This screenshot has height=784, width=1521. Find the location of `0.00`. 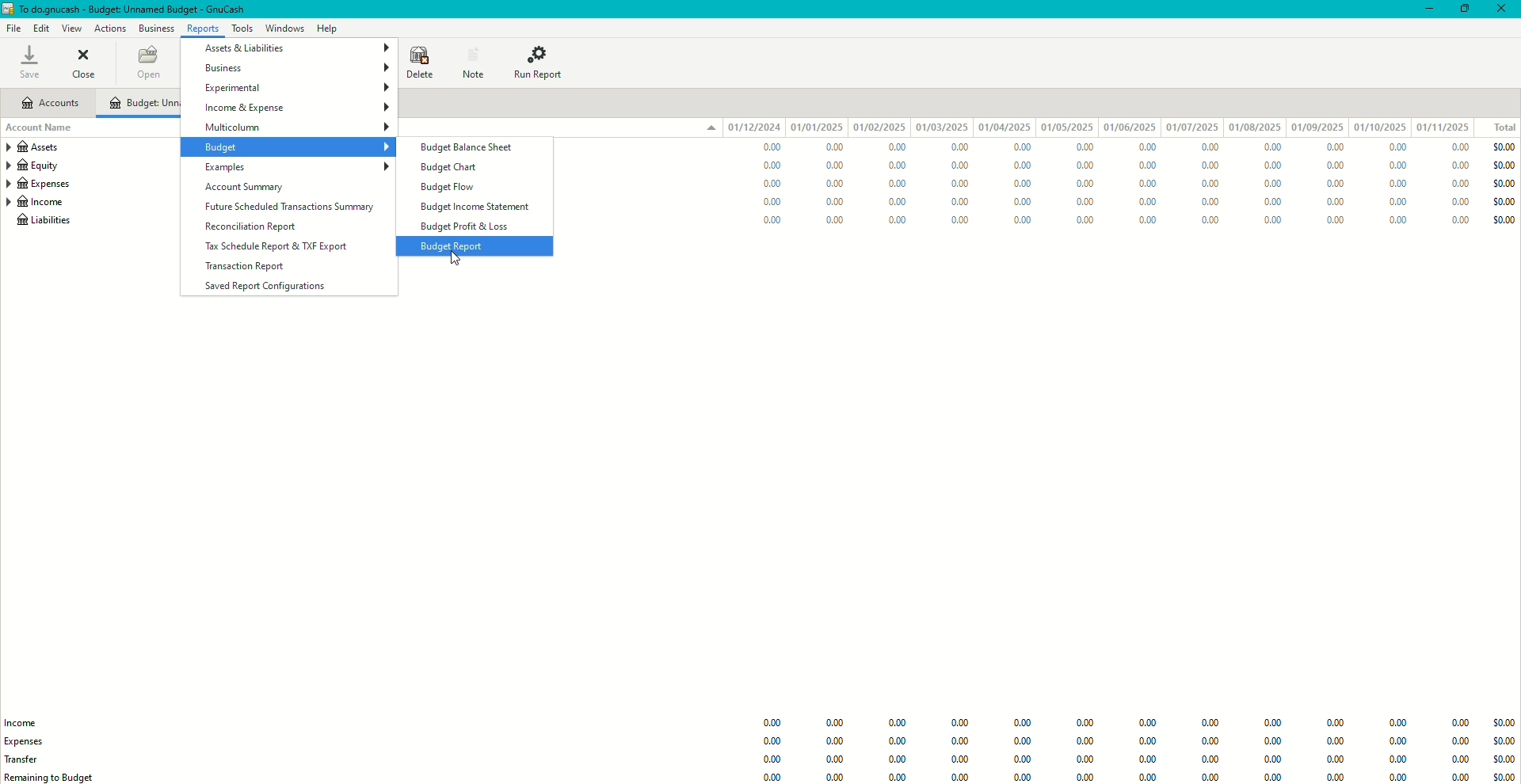

0.00 is located at coordinates (951, 166).